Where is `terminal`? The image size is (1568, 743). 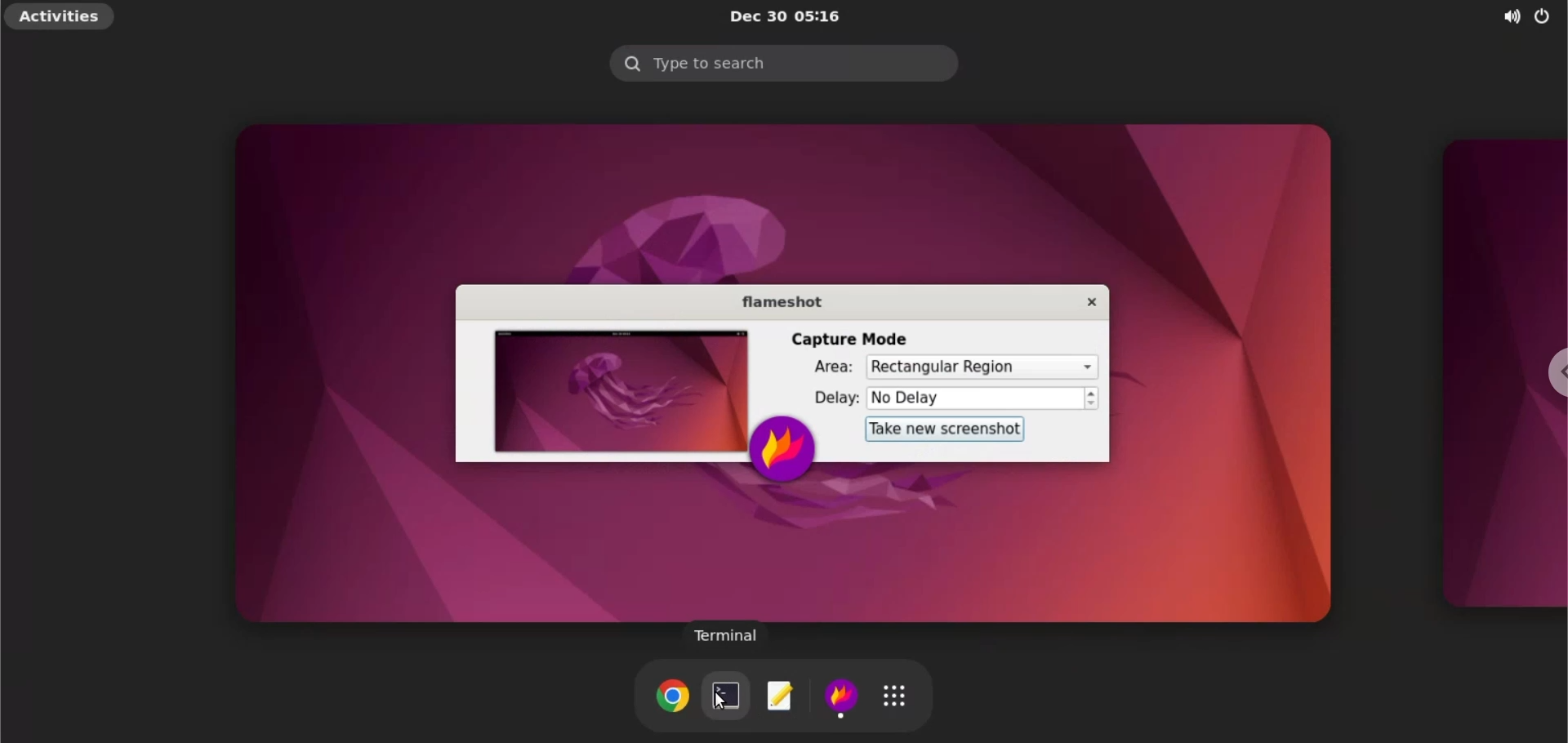
terminal is located at coordinates (724, 696).